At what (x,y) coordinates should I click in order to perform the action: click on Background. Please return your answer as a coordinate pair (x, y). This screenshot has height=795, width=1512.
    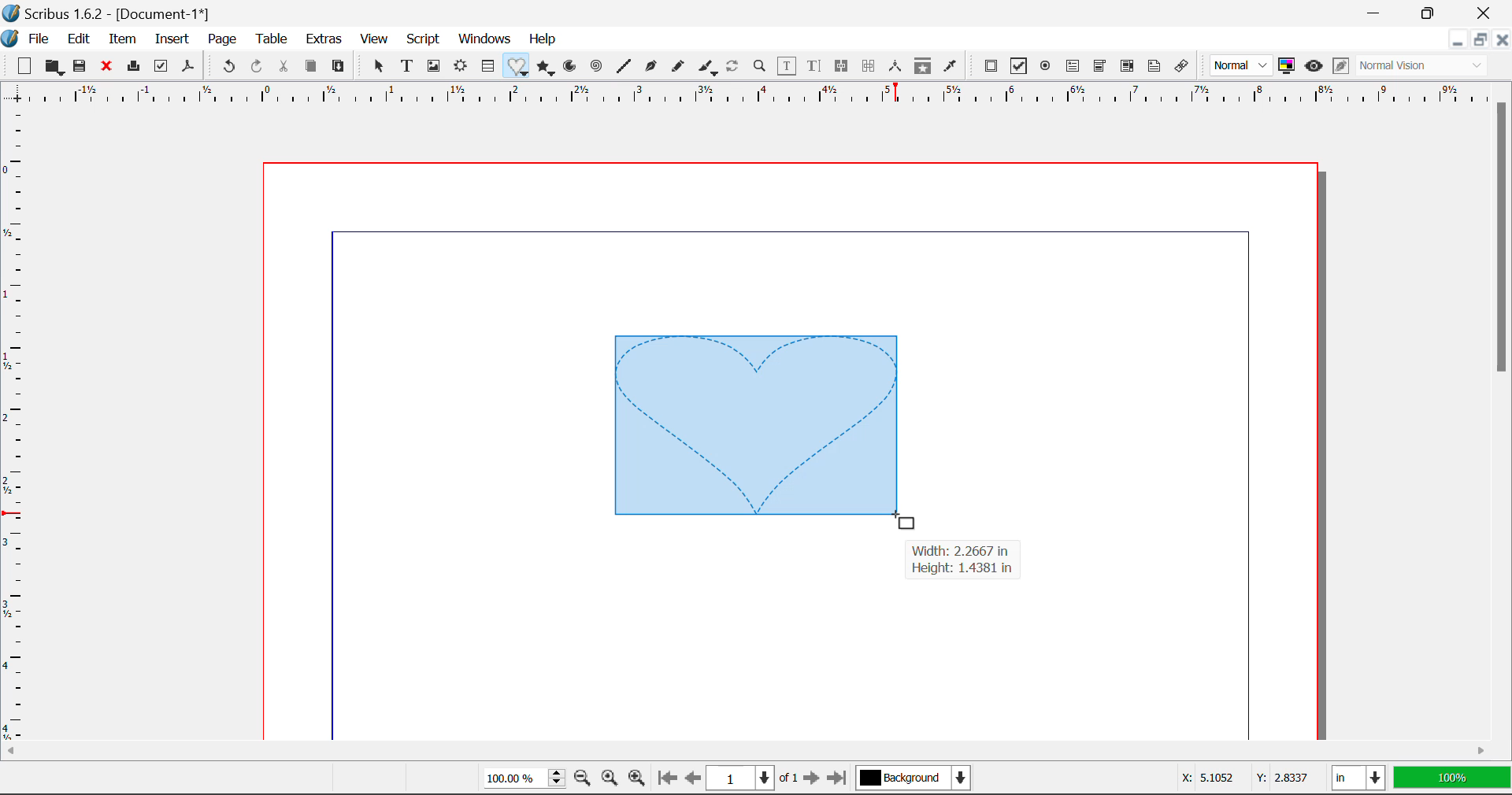
    Looking at the image, I should click on (916, 779).